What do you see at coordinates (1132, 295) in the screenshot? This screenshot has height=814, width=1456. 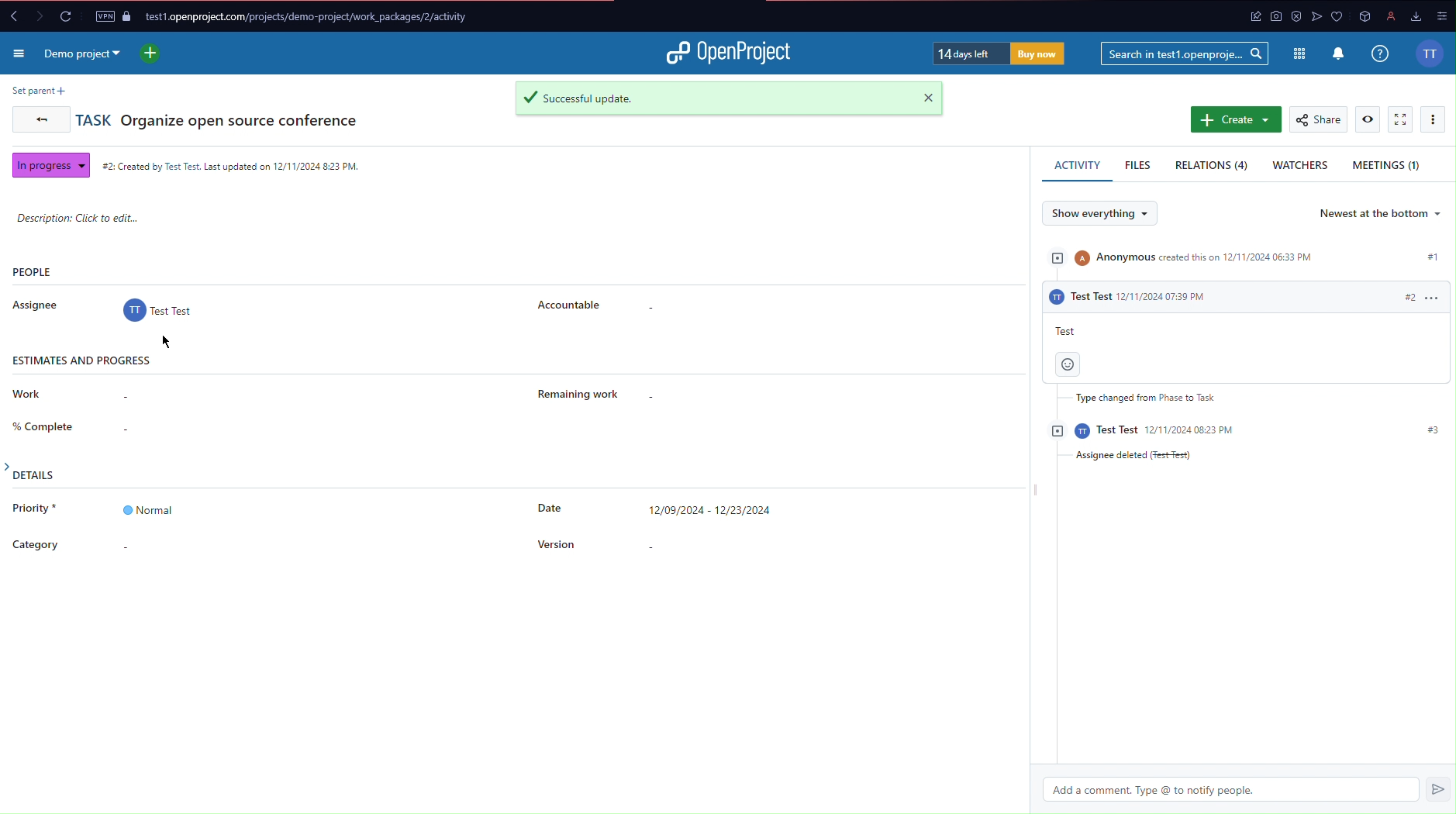 I see `activity #2` at bounding box center [1132, 295].